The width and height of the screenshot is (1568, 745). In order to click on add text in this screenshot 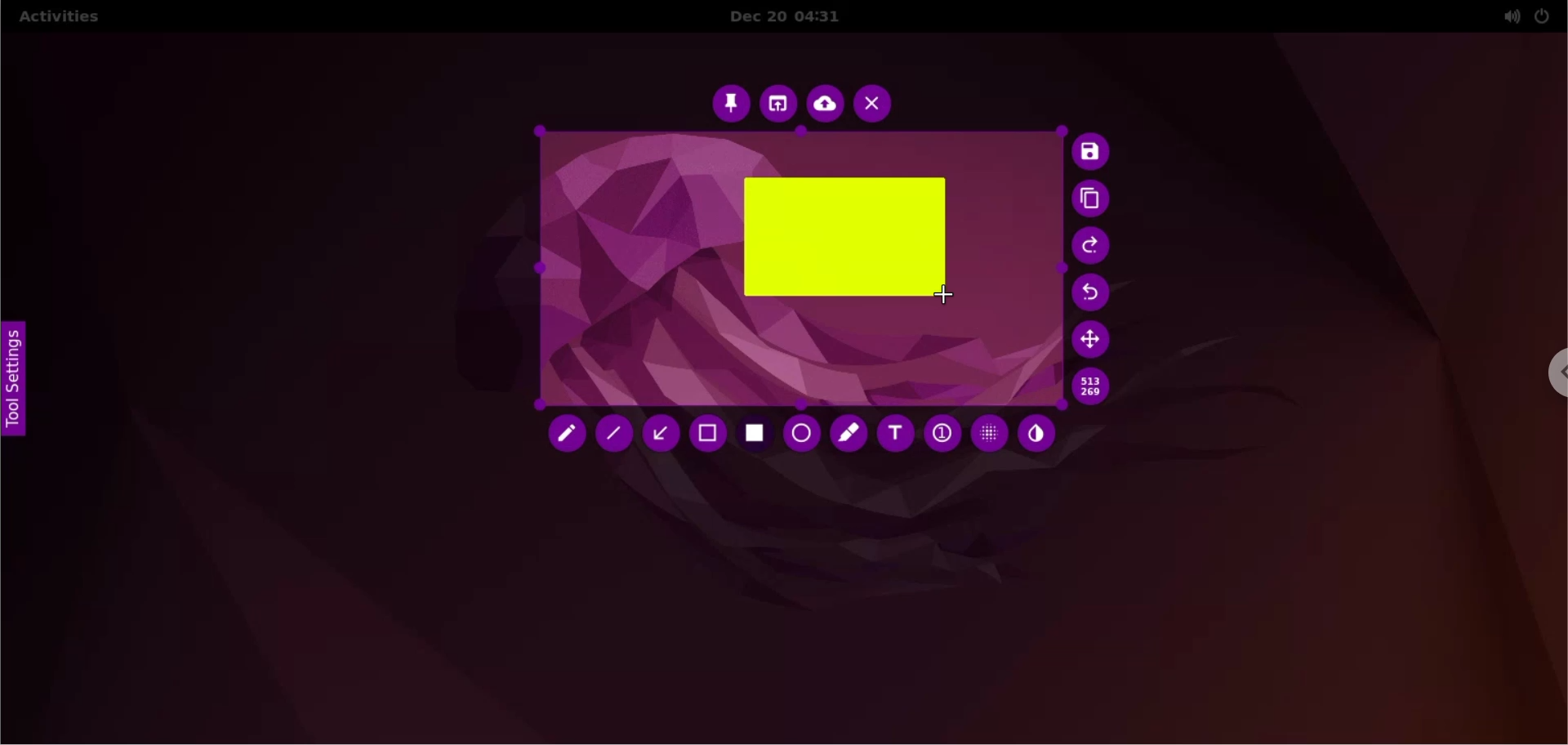, I will do `click(898, 437)`.